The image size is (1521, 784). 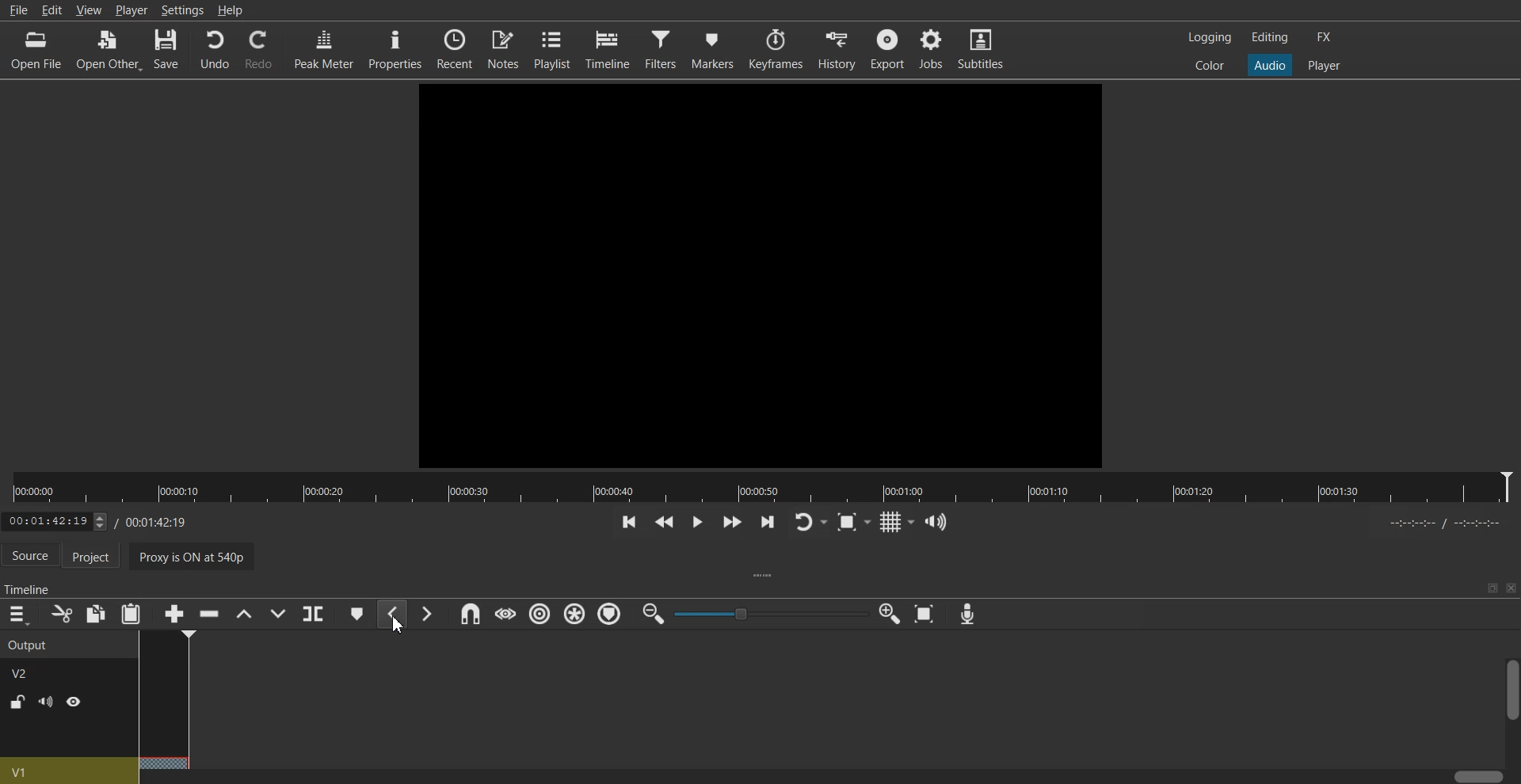 I want to click on Zoom timeline in, so click(x=890, y=614).